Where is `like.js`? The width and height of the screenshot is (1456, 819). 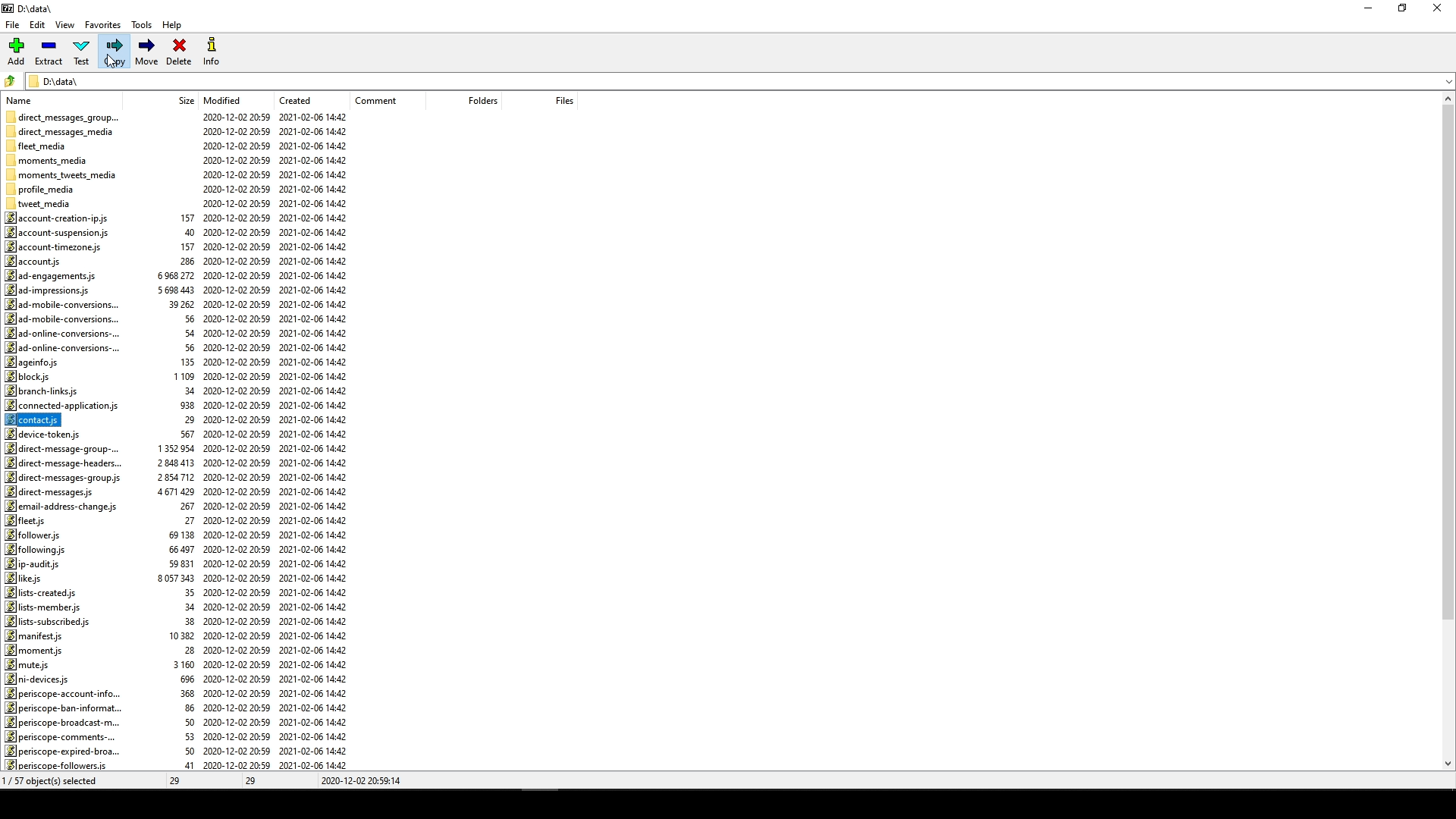
like.js is located at coordinates (28, 579).